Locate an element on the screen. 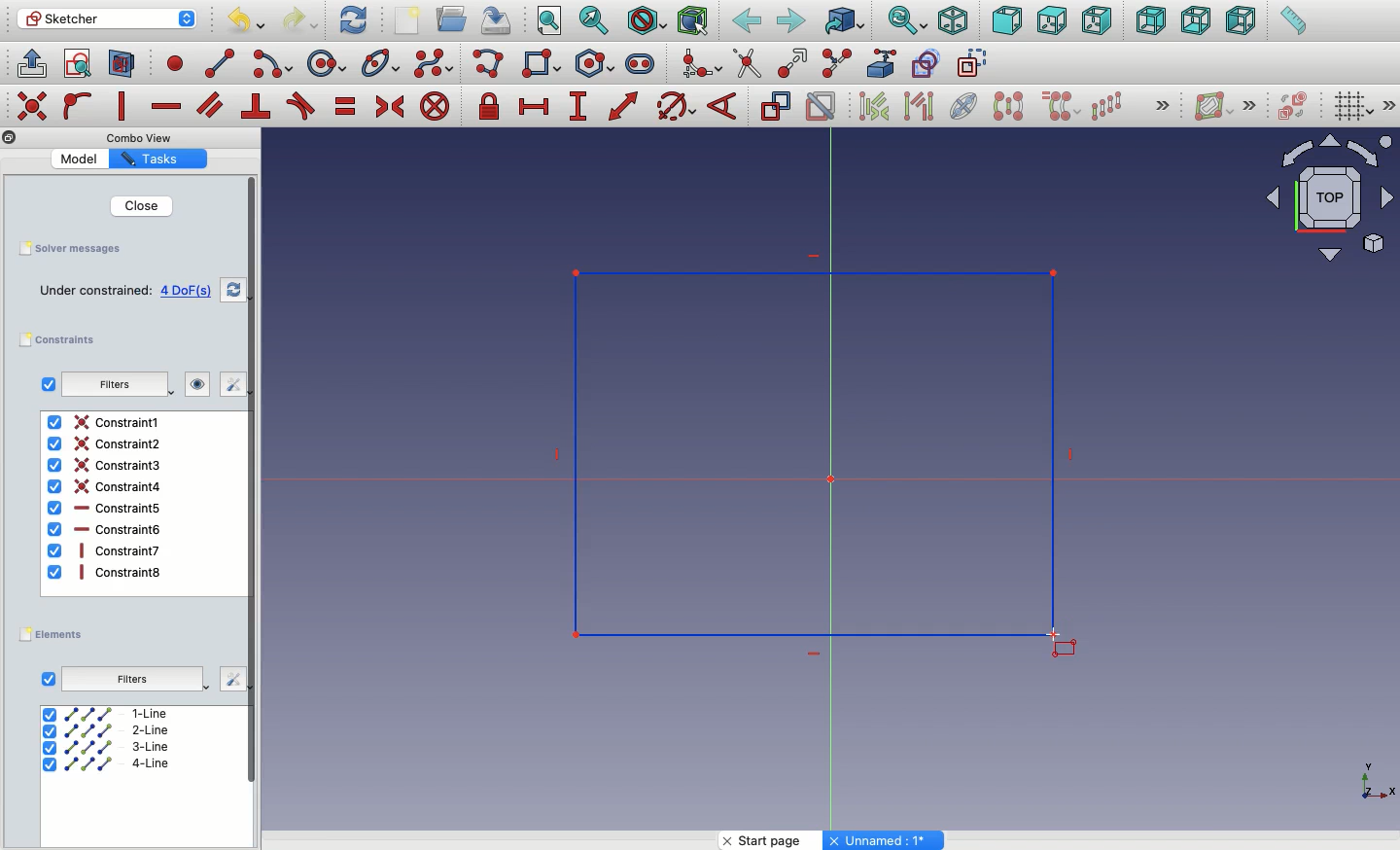 The width and height of the screenshot is (1400, 850). edit is located at coordinates (225, 384).